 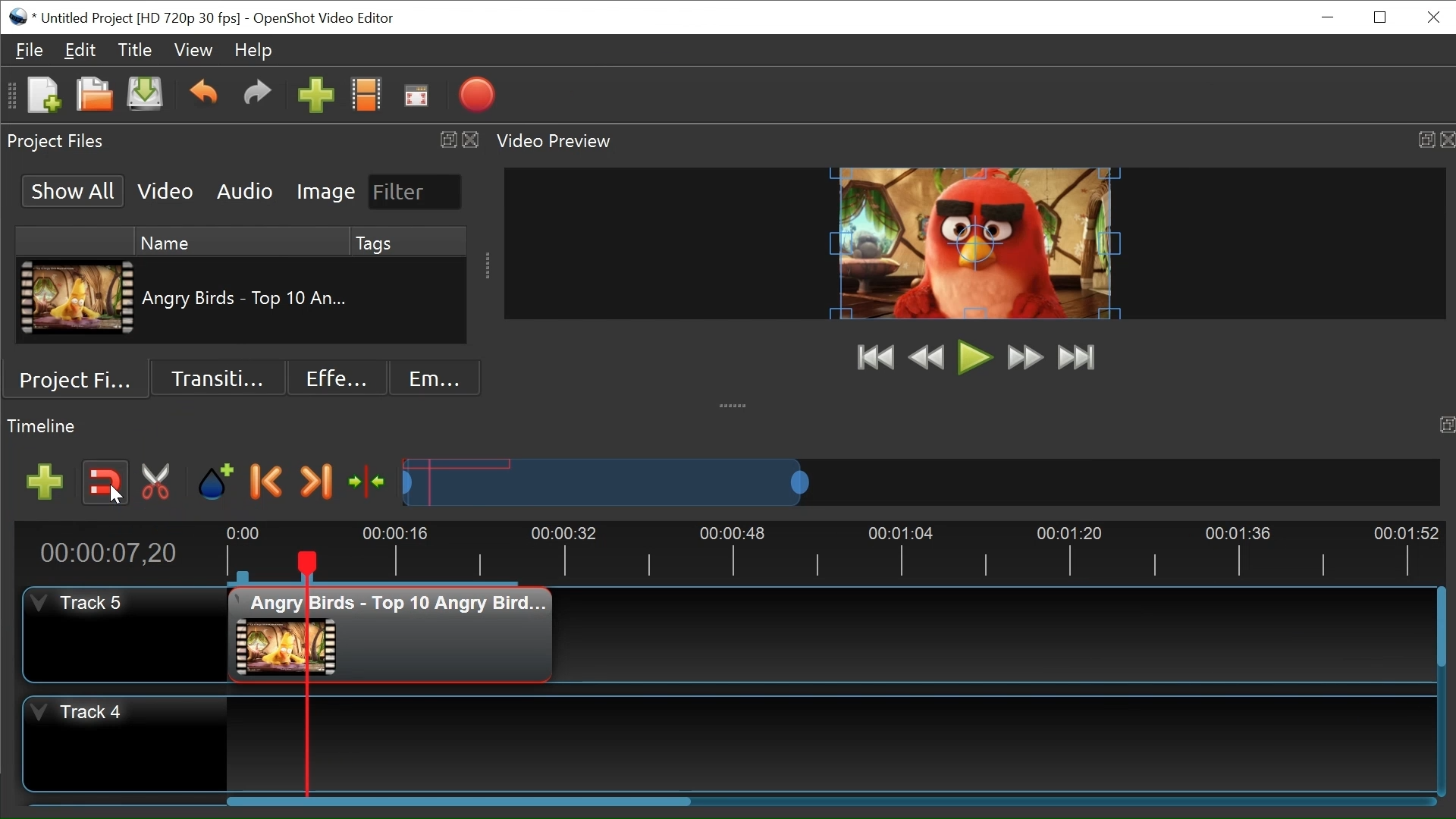 What do you see at coordinates (140, 19) in the screenshot?
I see `File name` at bounding box center [140, 19].